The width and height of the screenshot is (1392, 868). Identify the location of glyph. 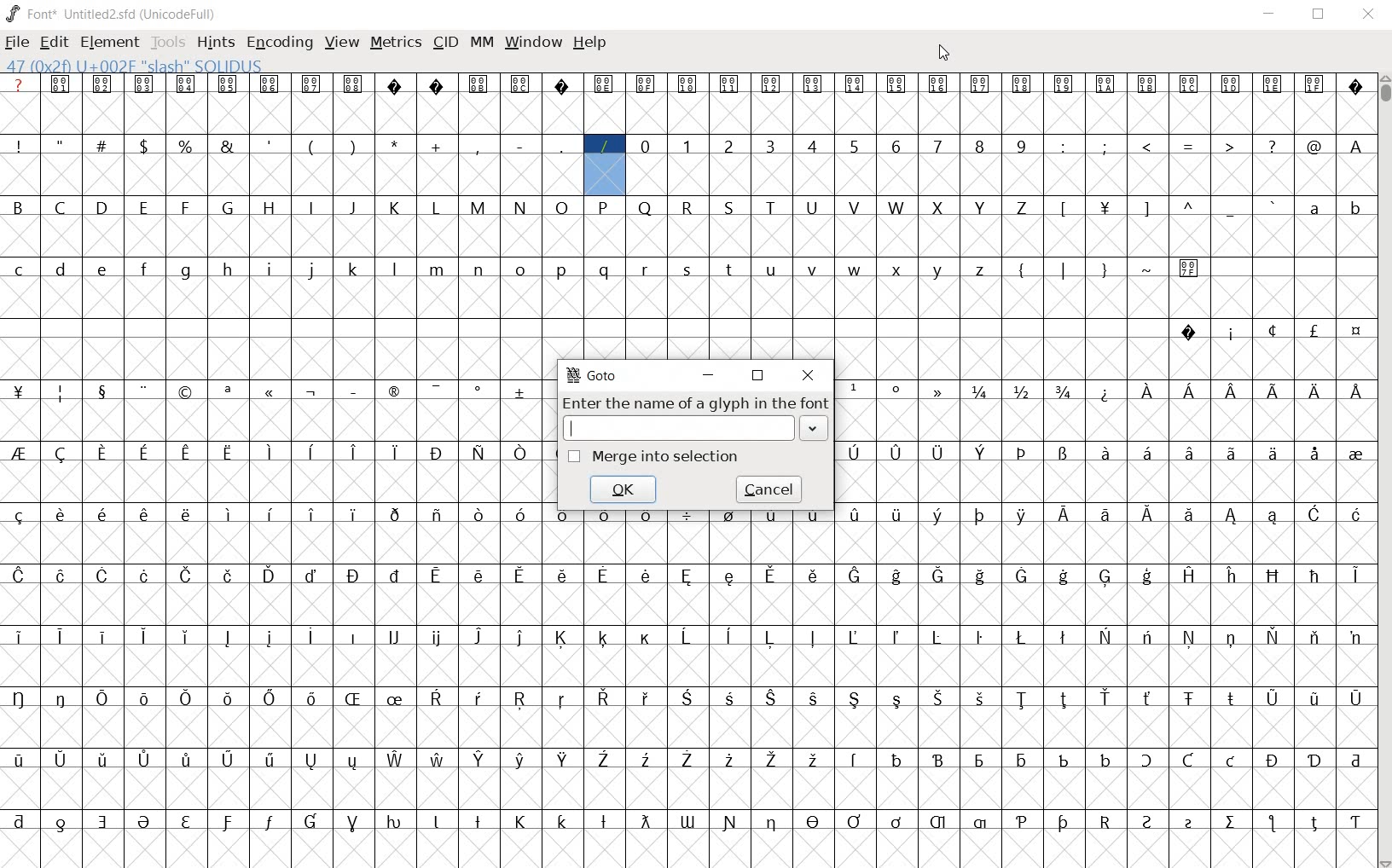
(438, 270).